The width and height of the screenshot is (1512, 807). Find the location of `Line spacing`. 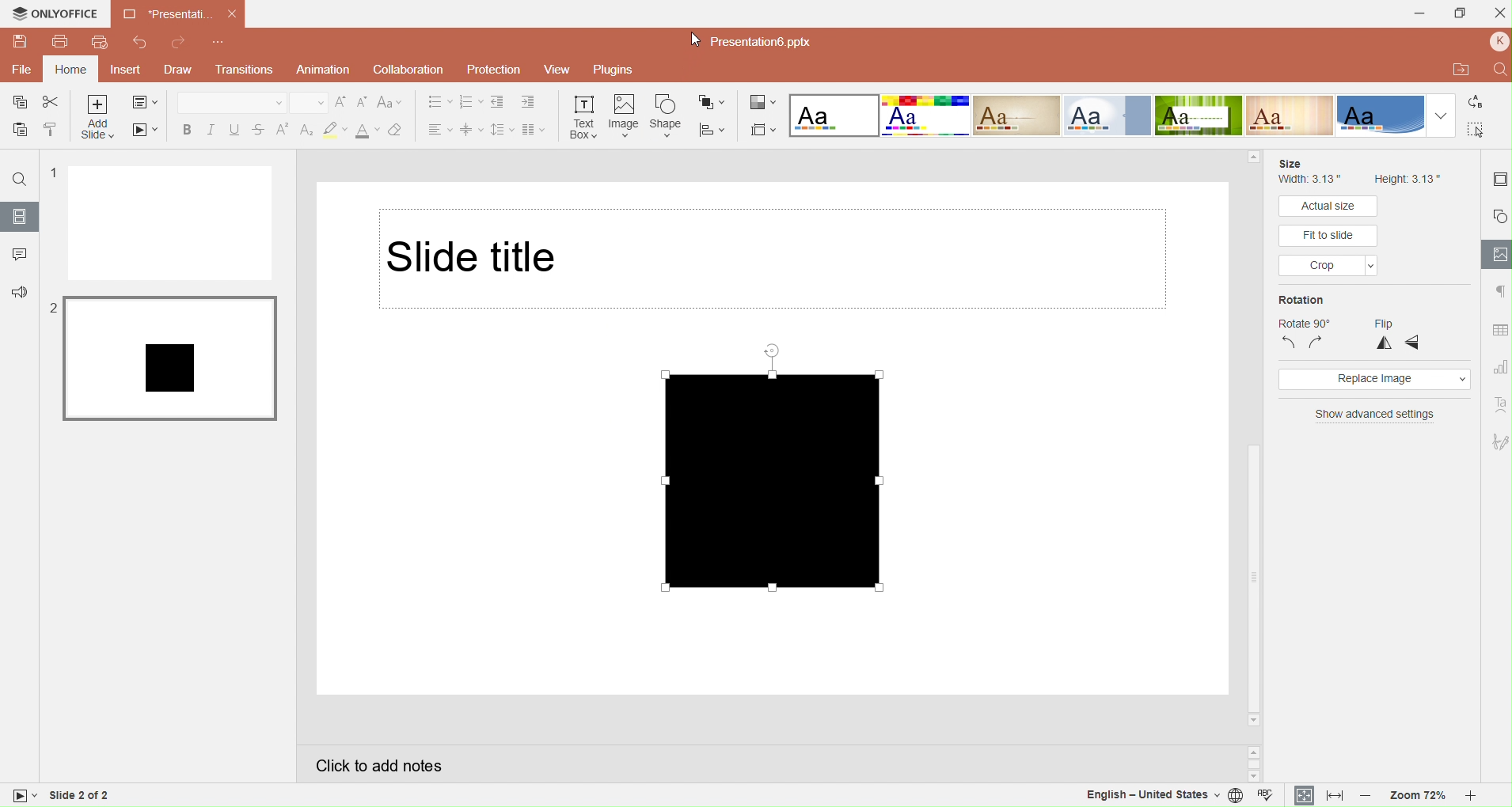

Line spacing is located at coordinates (502, 130).